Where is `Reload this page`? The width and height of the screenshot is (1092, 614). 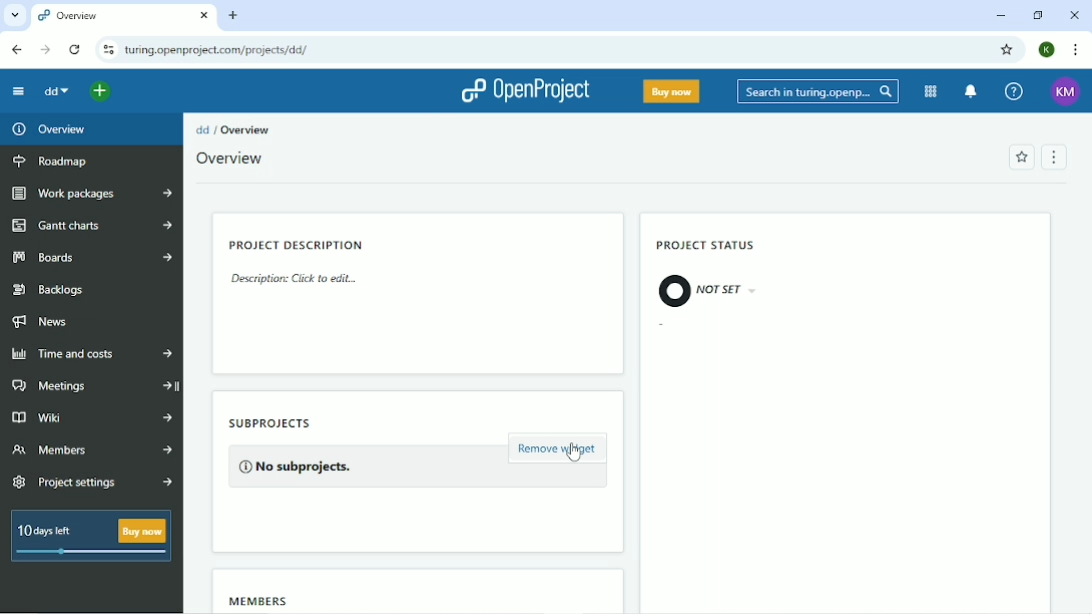
Reload this page is located at coordinates (74, 50).